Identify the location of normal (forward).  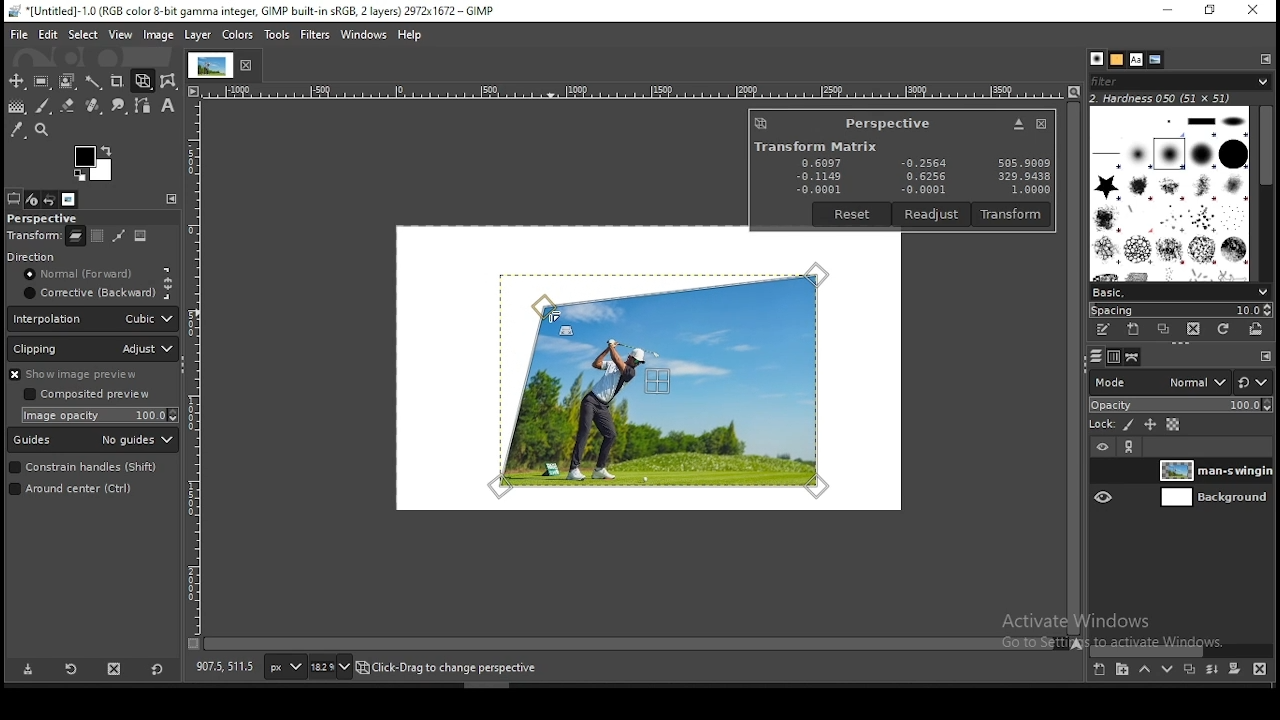
(87, 277).